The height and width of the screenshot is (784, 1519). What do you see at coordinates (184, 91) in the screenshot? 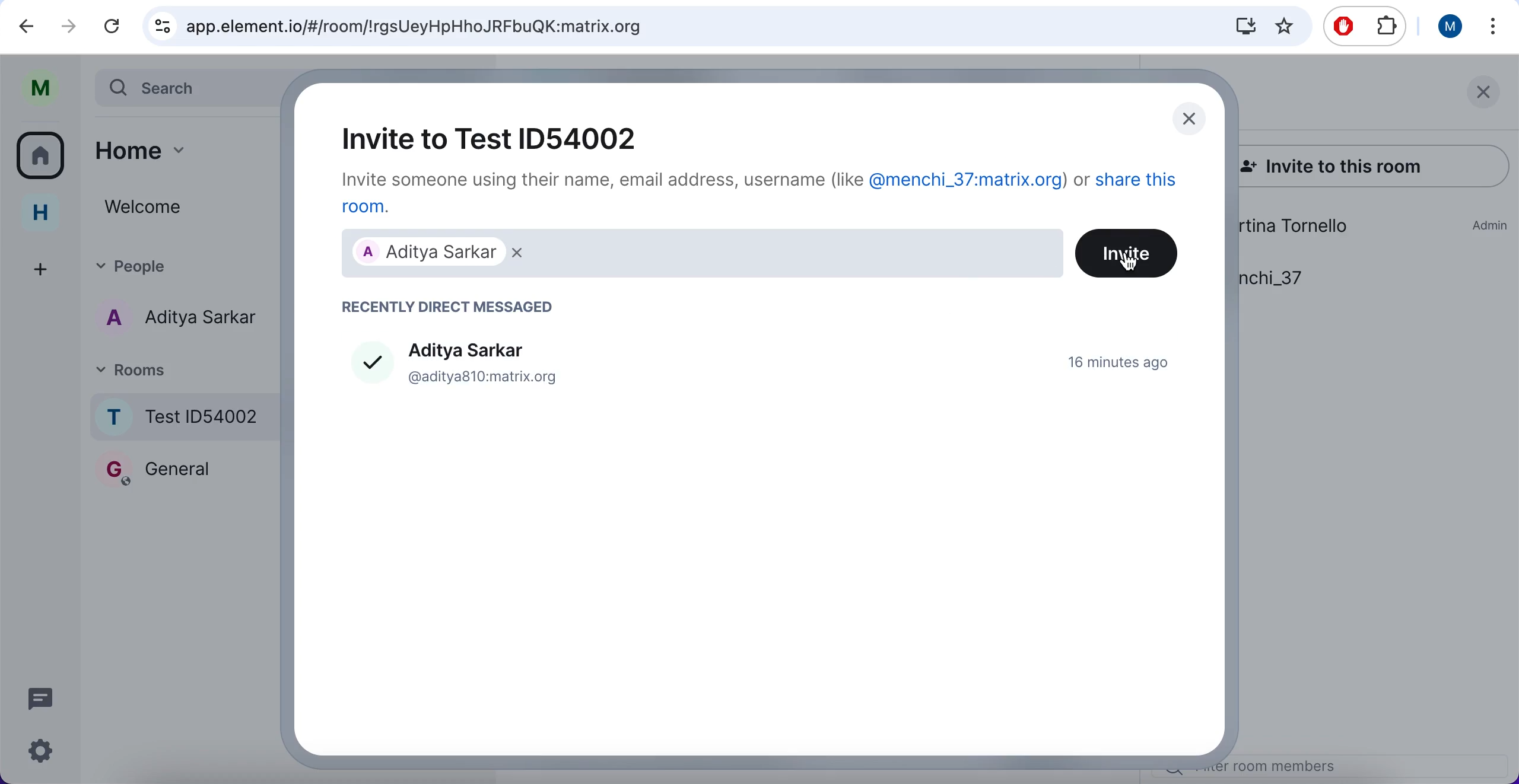
I see `search` at bounding box center [184, 91].